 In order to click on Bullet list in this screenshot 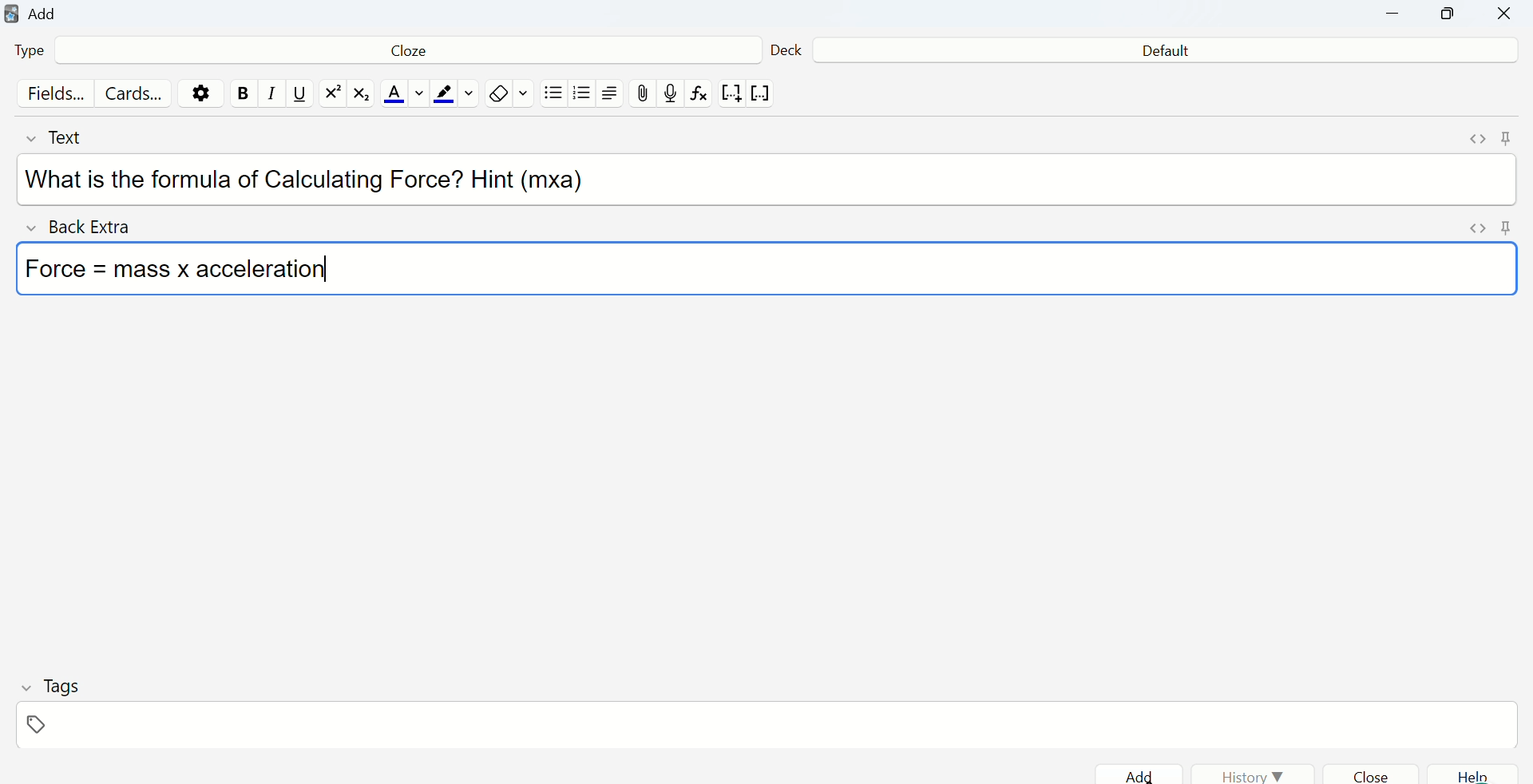, I will do `click(553, 97)`.